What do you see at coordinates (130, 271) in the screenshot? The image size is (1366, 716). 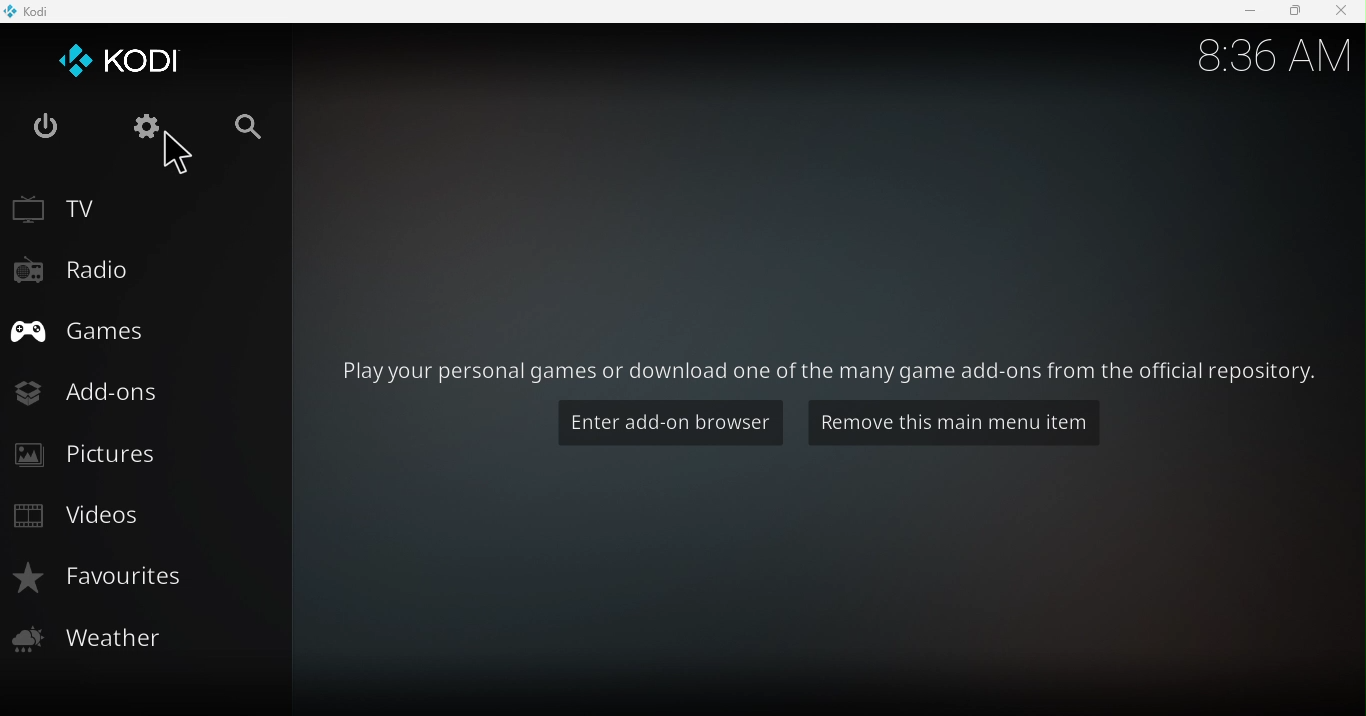 I see `Radio` at bounding box center [130, 271].